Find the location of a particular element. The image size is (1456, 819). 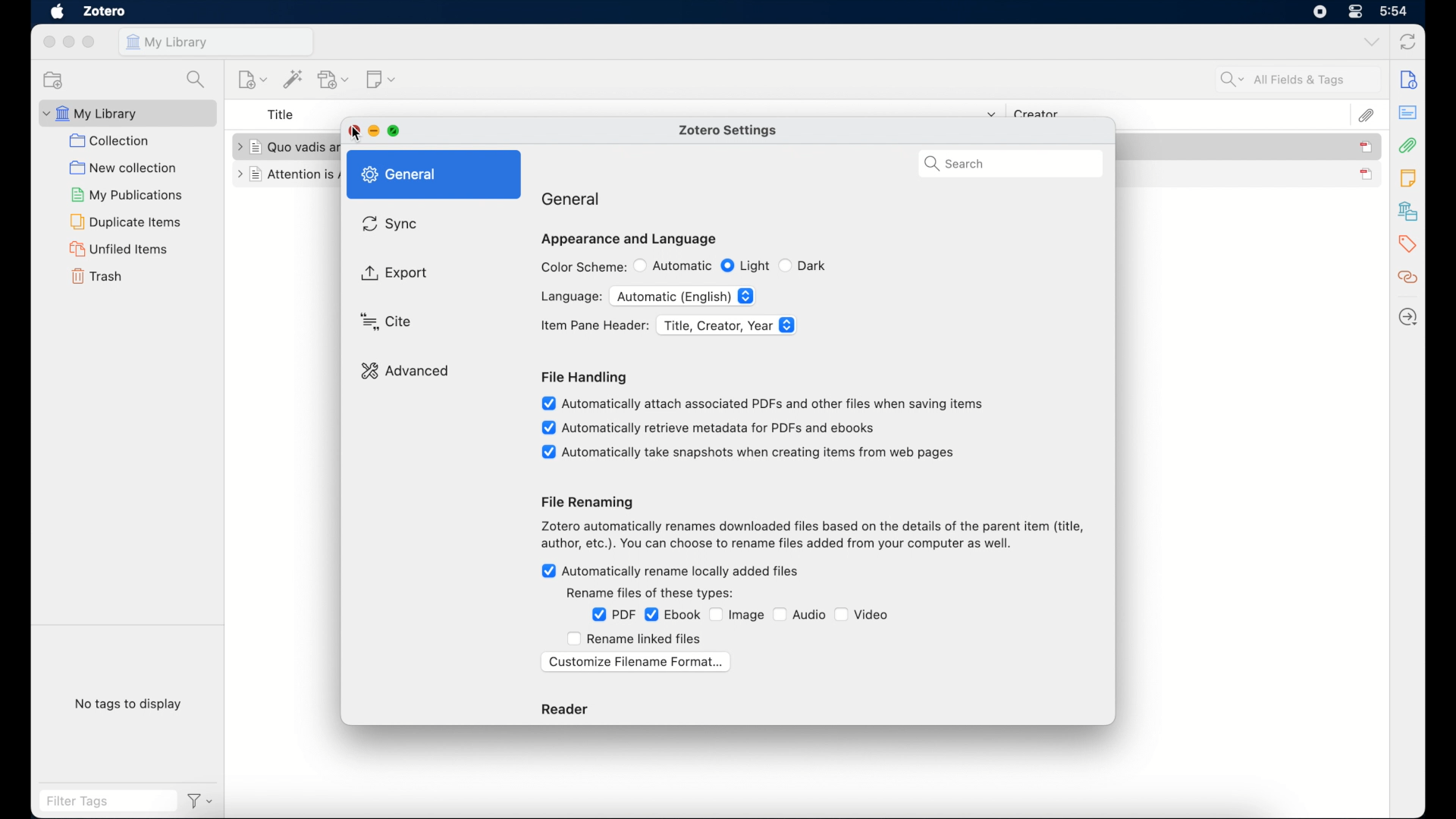

customize filename format is located at coordinates (634, 663).